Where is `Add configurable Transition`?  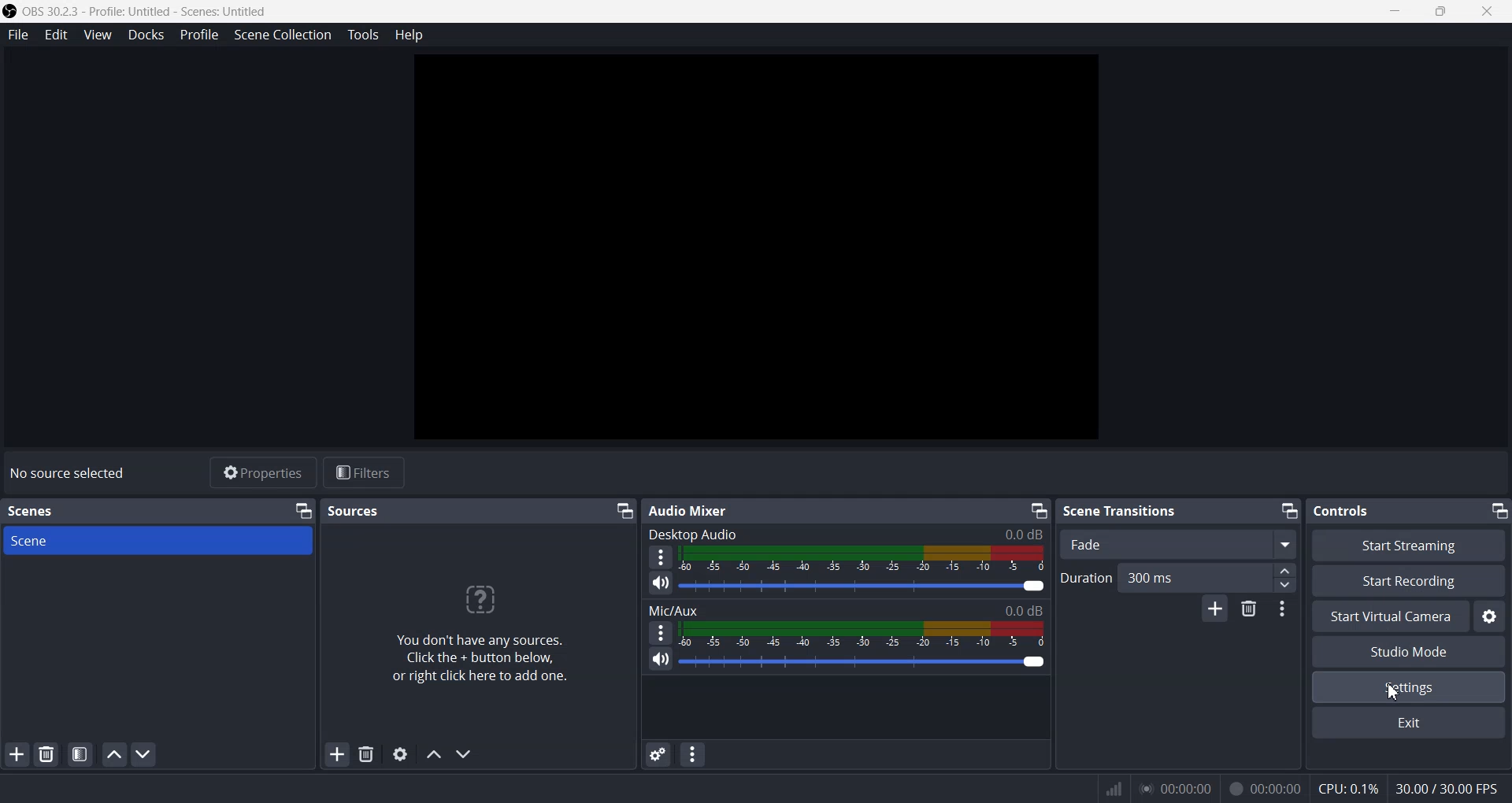 Add configurable Transition is located at coordinates (1215, 610).